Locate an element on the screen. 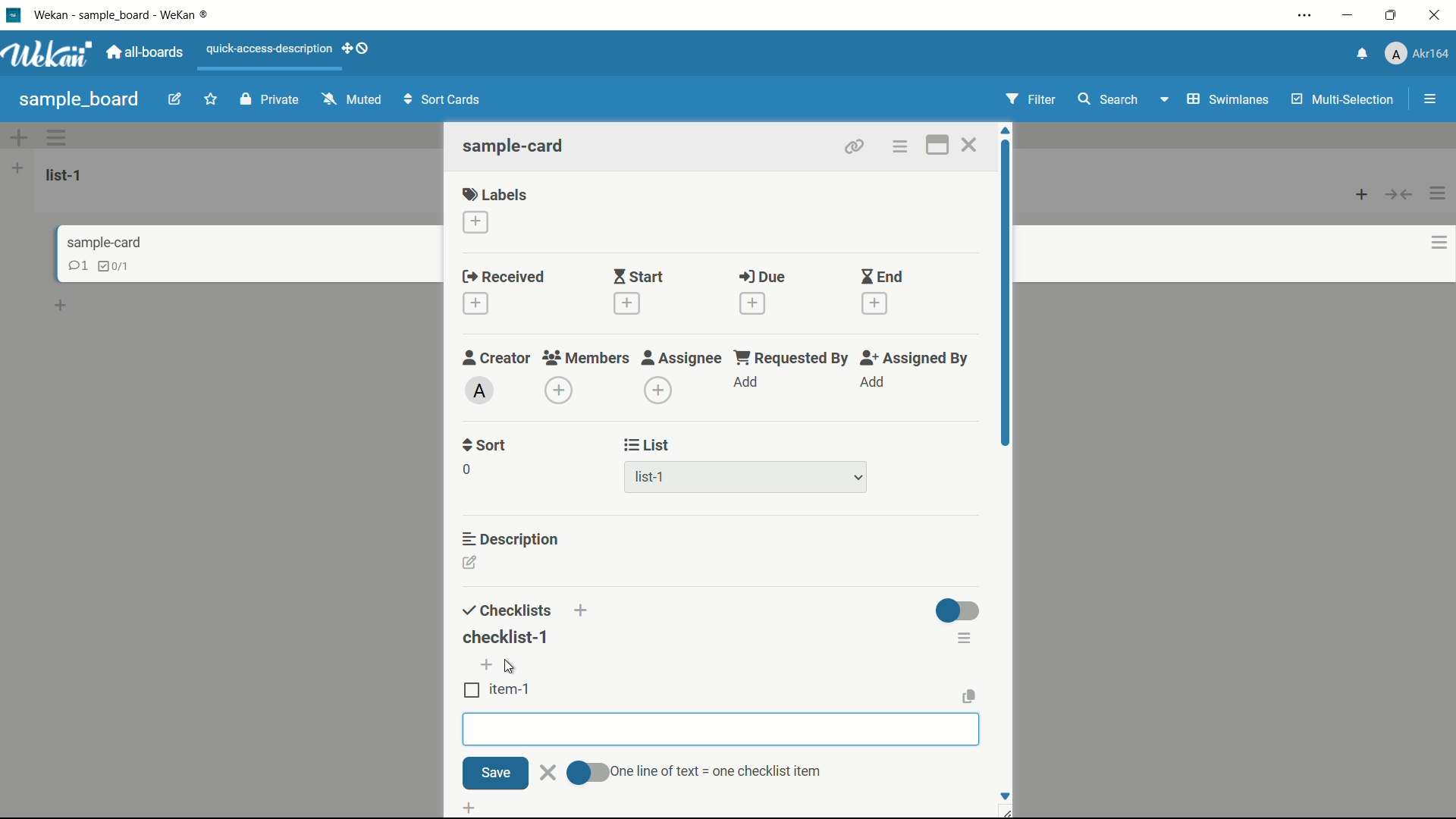 Image resolution: width=1456 pixels, height=819 pixels. members is located at coordinates (588, 359).